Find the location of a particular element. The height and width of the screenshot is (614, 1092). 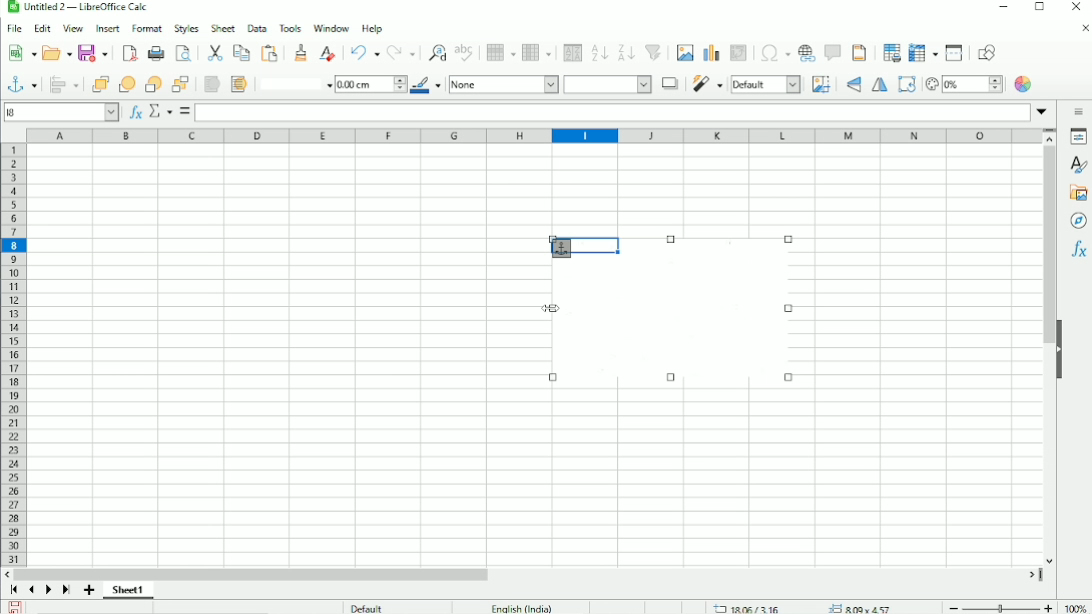

Shadow is located at coordinates (669, 83).